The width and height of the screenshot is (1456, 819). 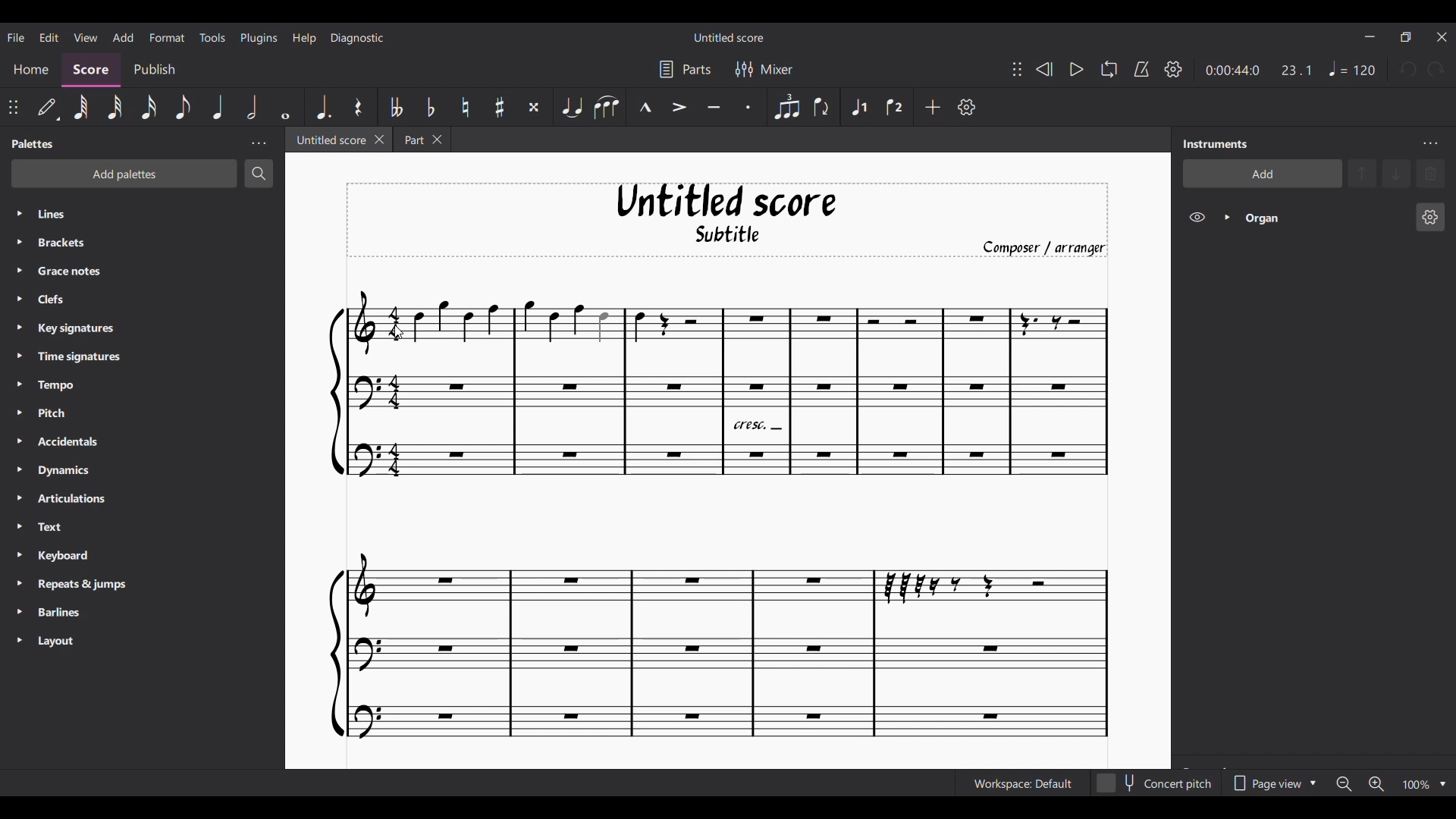 What do you see at coordinates (933, 107) in the screenshot?
I see `Add` at bounding box center [933, 107].